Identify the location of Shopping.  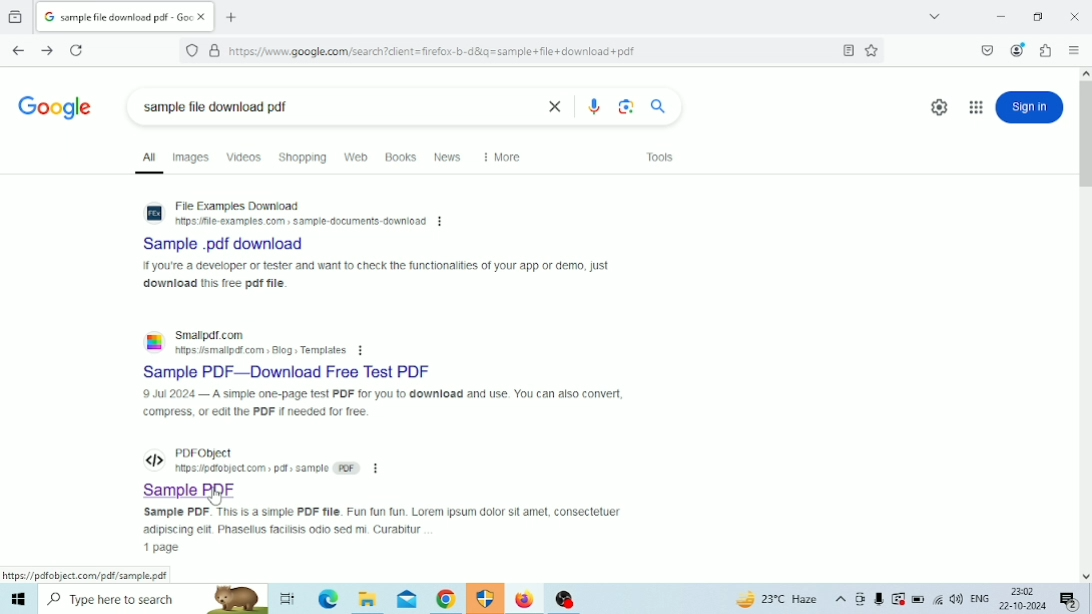
(303, 157).